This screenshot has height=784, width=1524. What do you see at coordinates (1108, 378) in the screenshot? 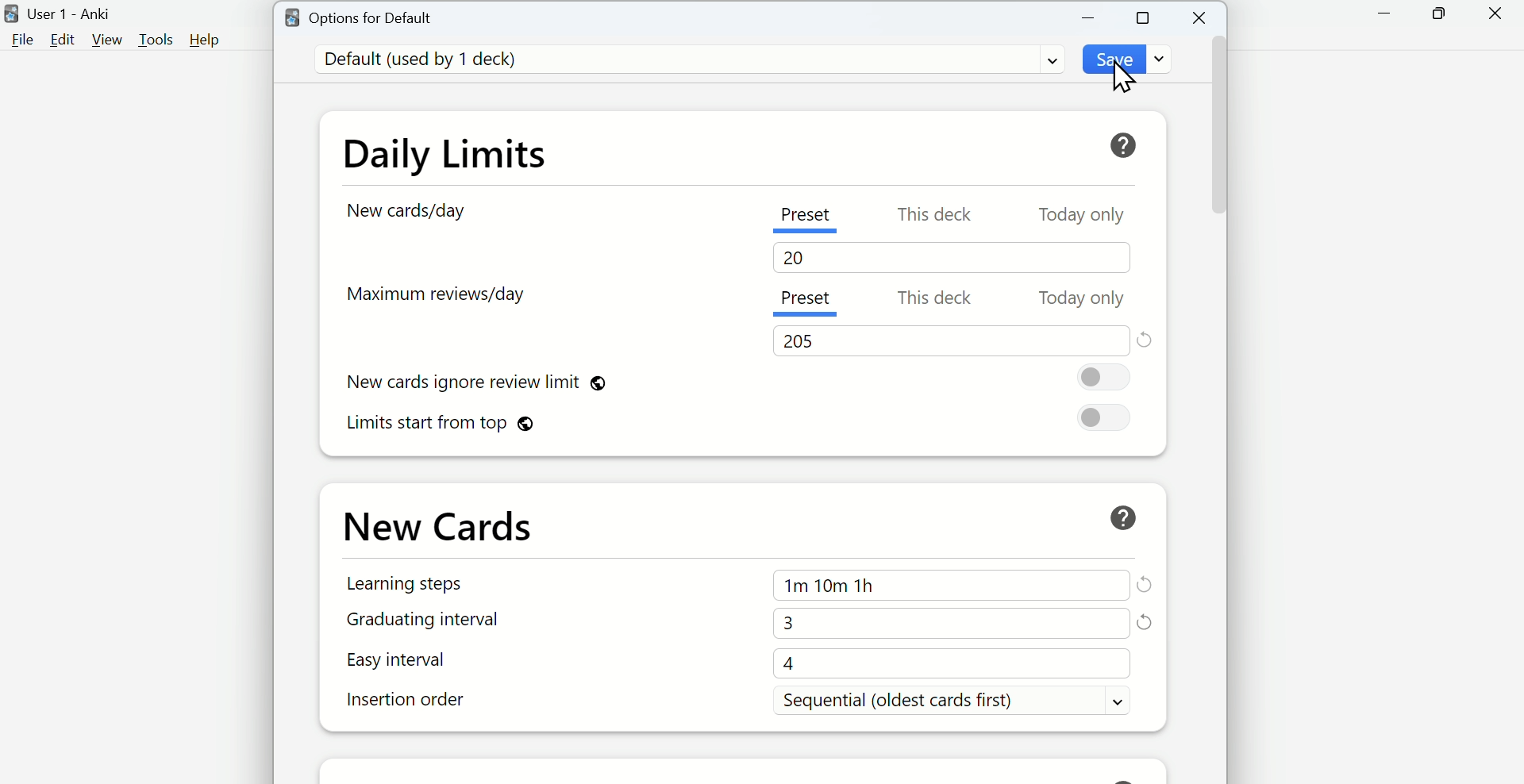
I see `On/Off Toggle` at bounding box center [1108, 378].